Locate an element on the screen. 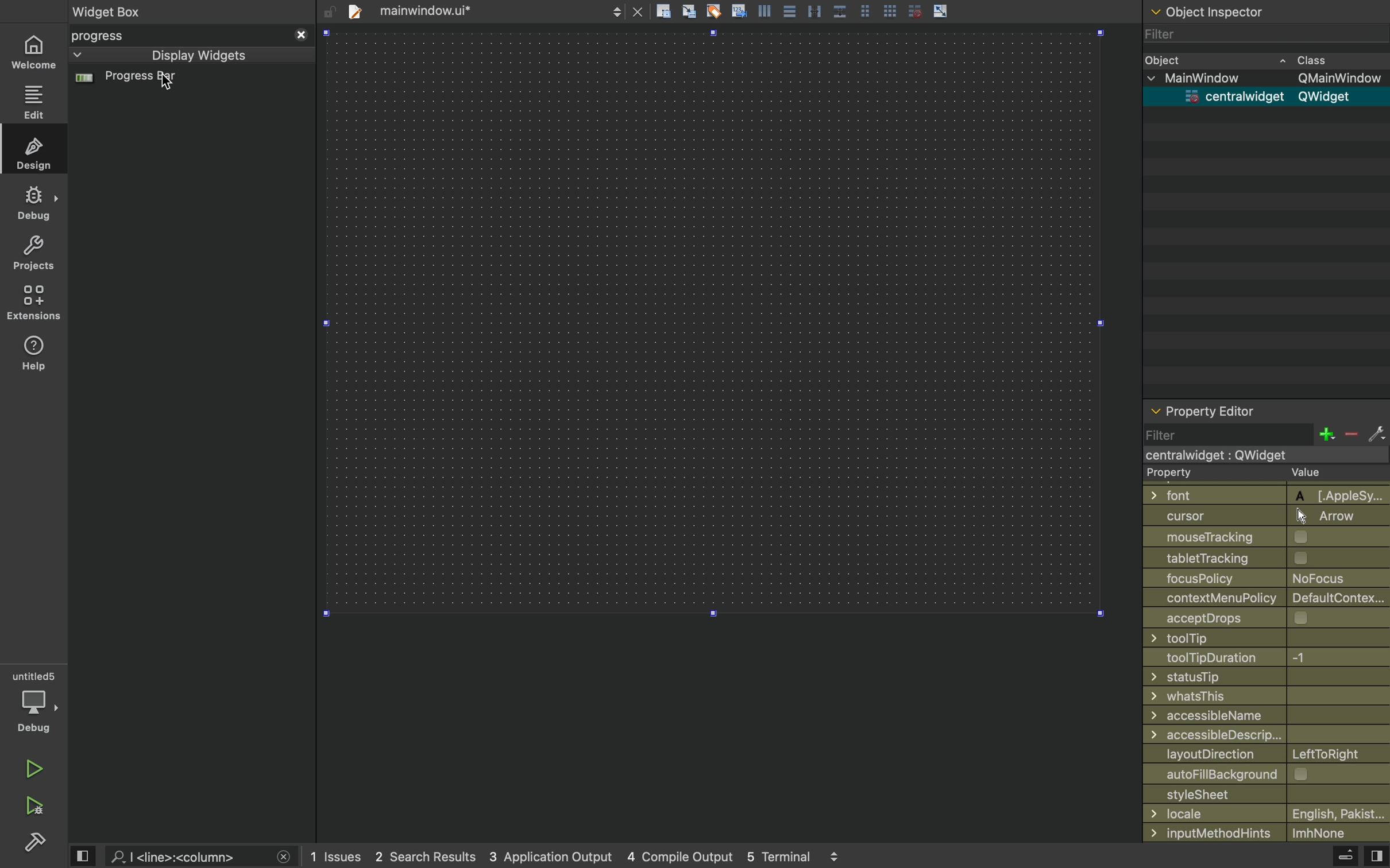 This screenshot has height=868, width=1390. acceptdrops is located at coordinates (1257, 617).